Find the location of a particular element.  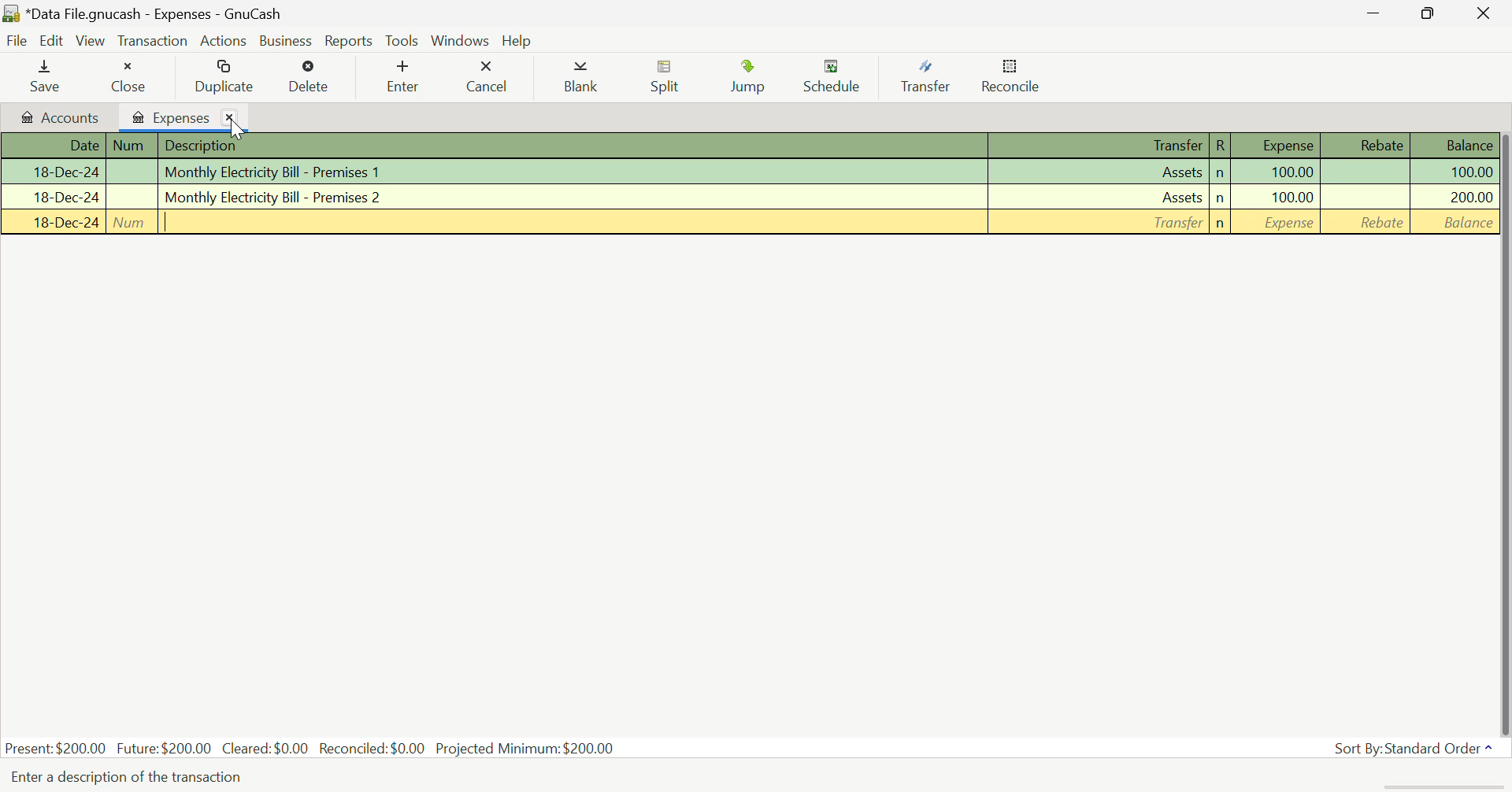

Duplicate is located at coordinates (220, 77).